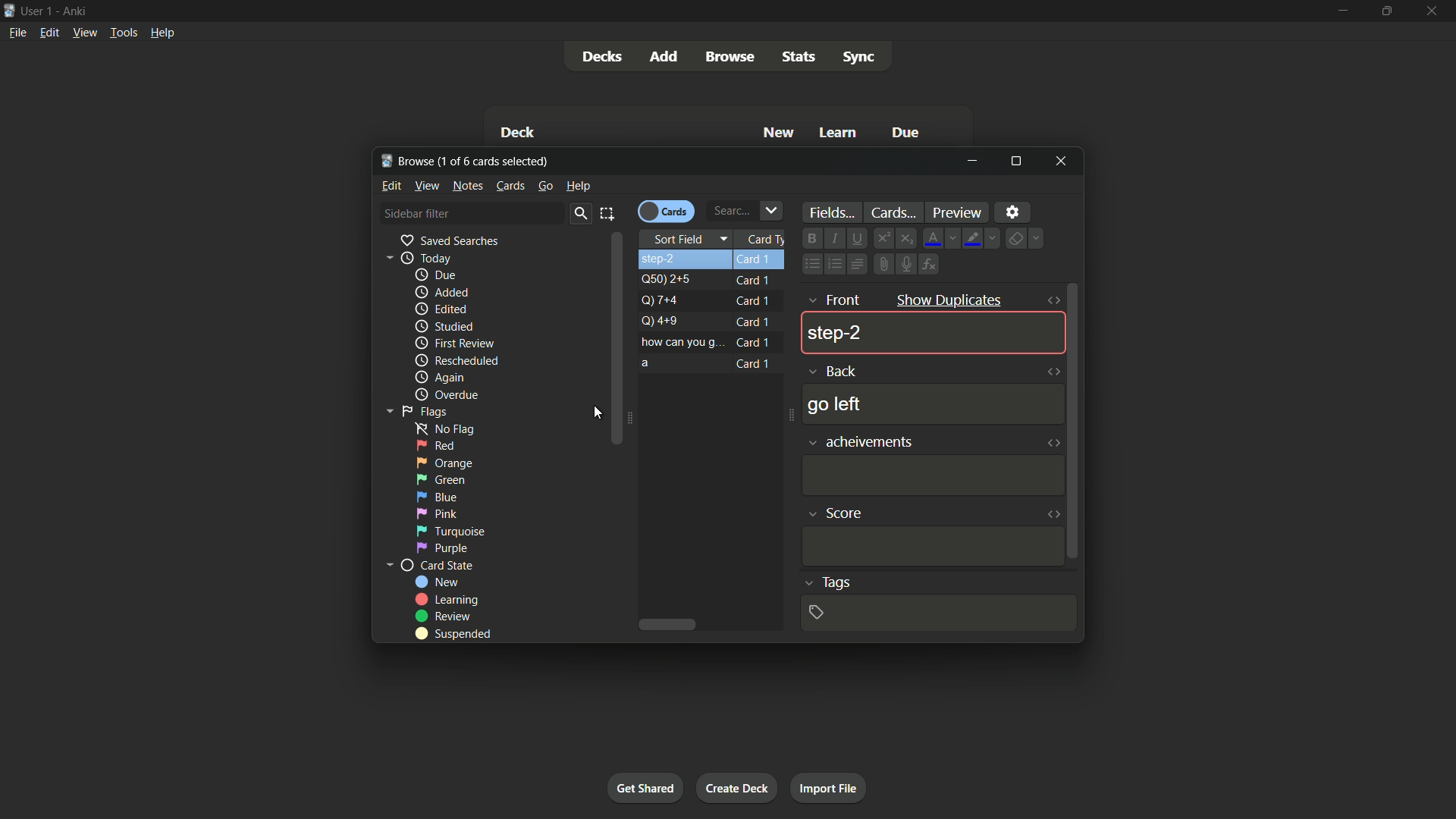 This screenshot has height=819, width=1456. Describe the element at coordinates (833, 334) in the screenshot. I see `Step two` at that location.